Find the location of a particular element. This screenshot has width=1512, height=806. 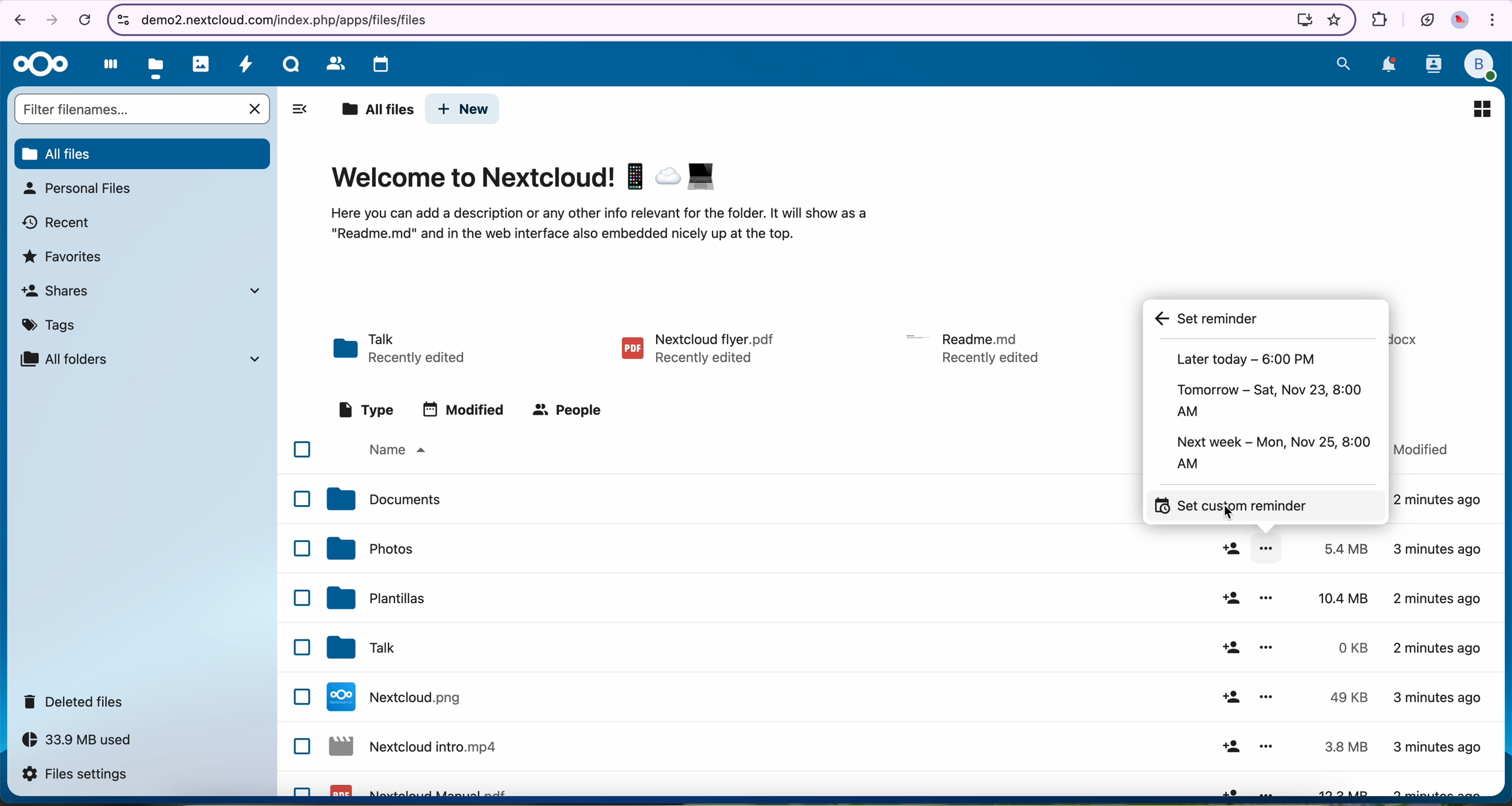

tomorrow is located at coordinates (1268, 399).